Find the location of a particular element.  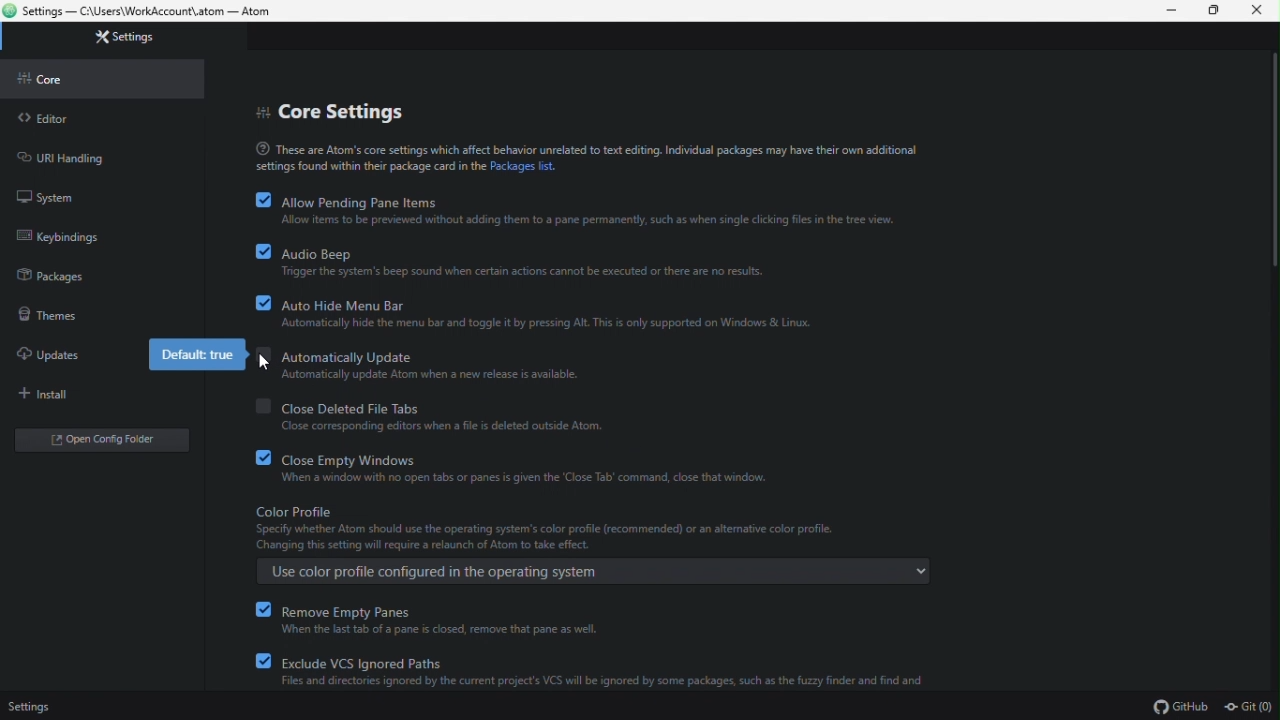

settings is located at coordinates (124, 35).